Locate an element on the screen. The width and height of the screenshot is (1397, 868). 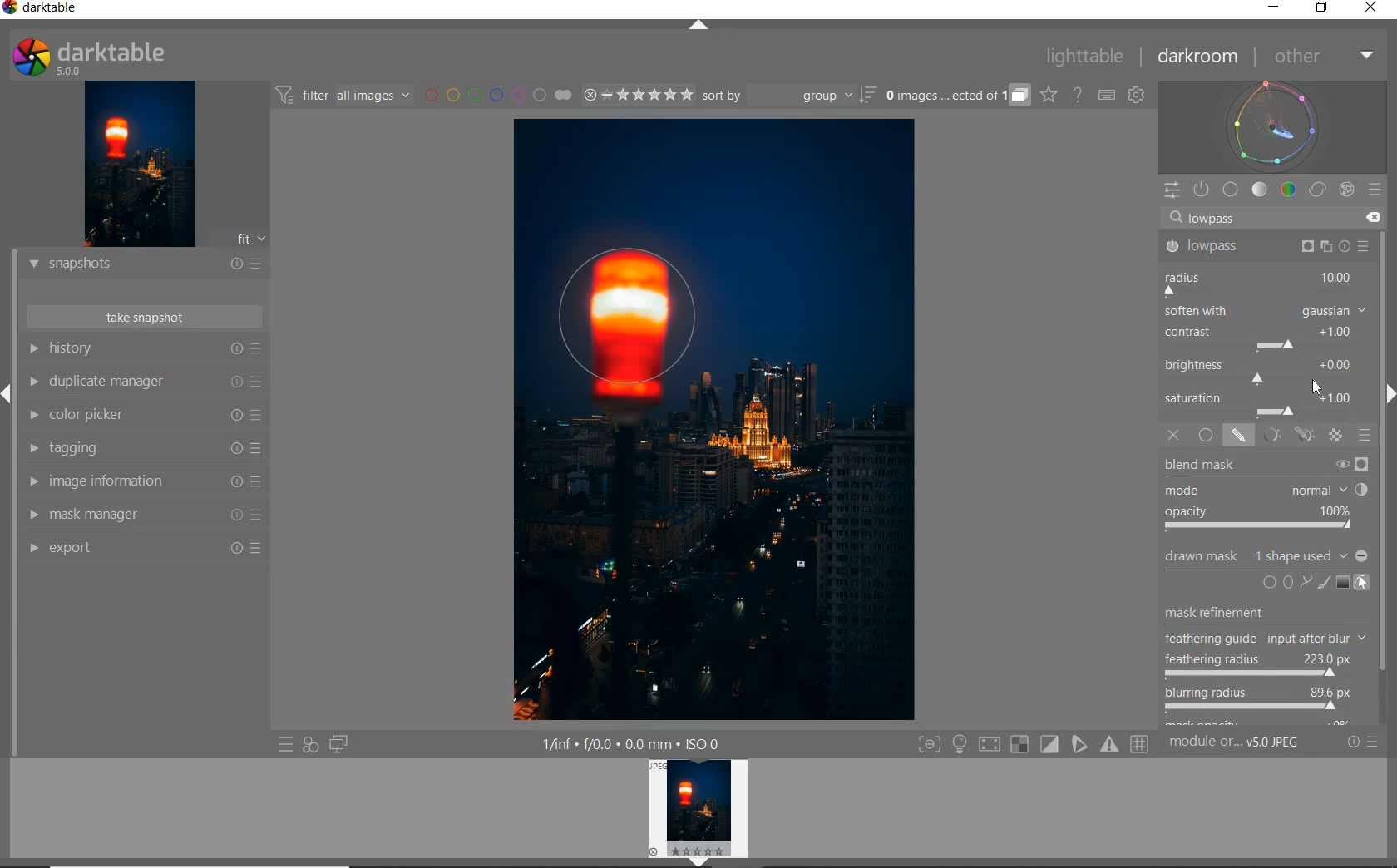
EXPORT is located at coordinates (146, 548).